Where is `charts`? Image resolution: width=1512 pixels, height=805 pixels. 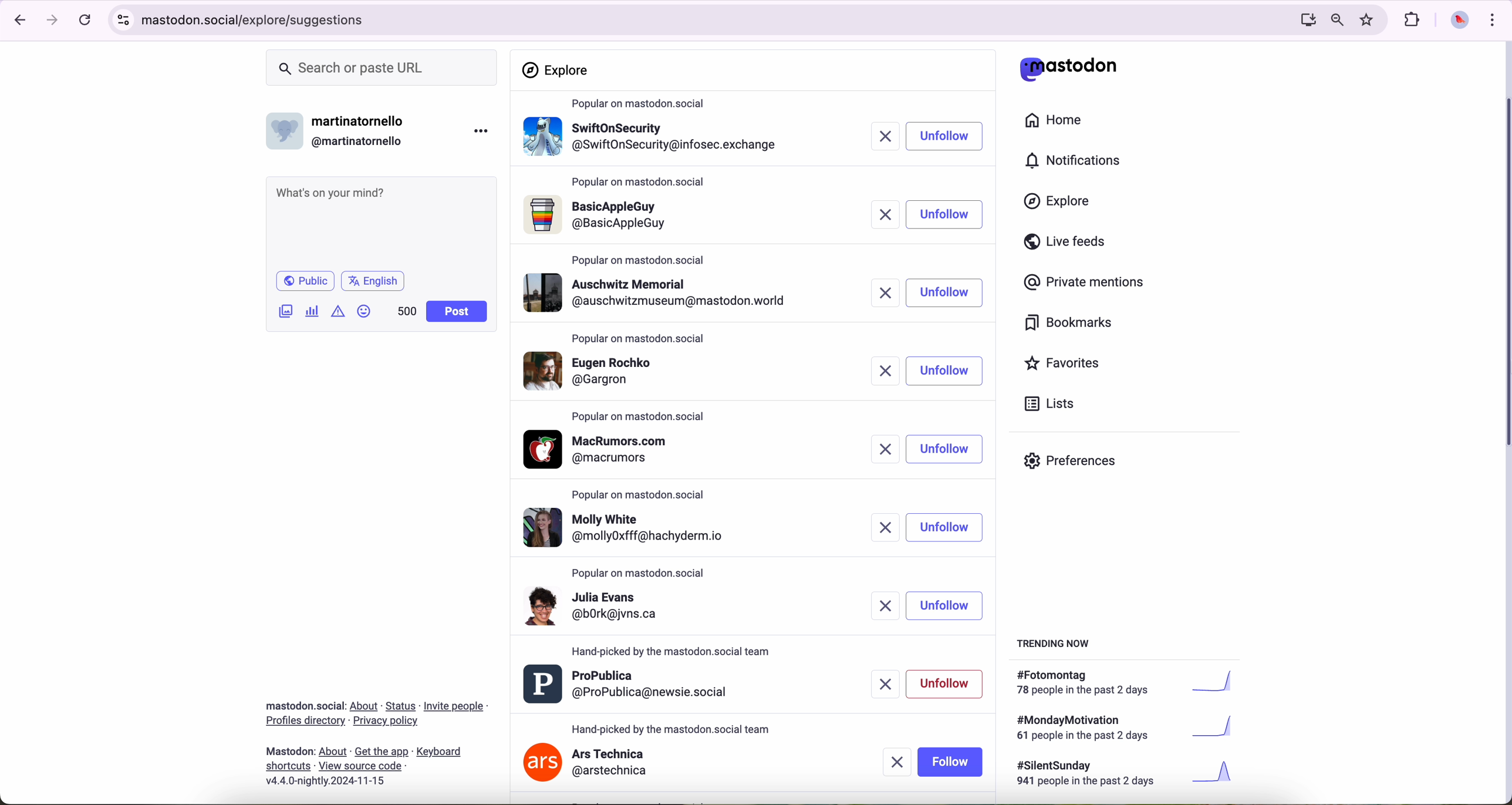 charts is located at coordinates (315, 311).